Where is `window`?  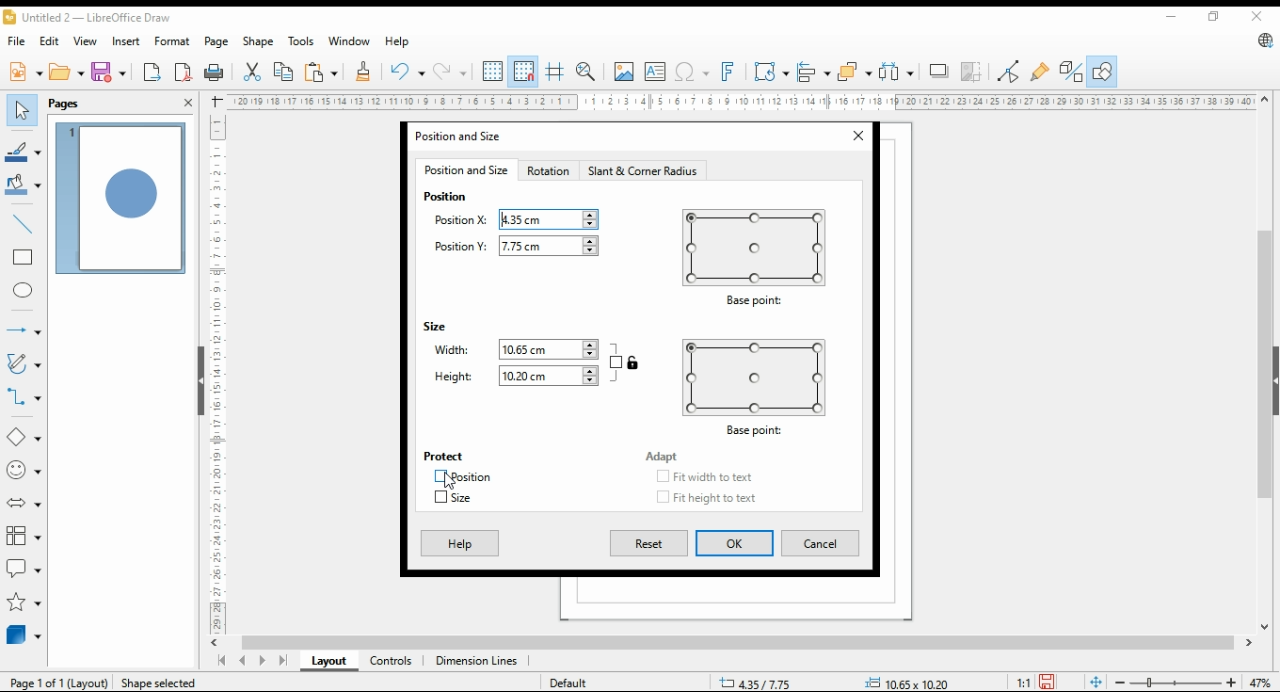 window is located at coordinates (349, 41).